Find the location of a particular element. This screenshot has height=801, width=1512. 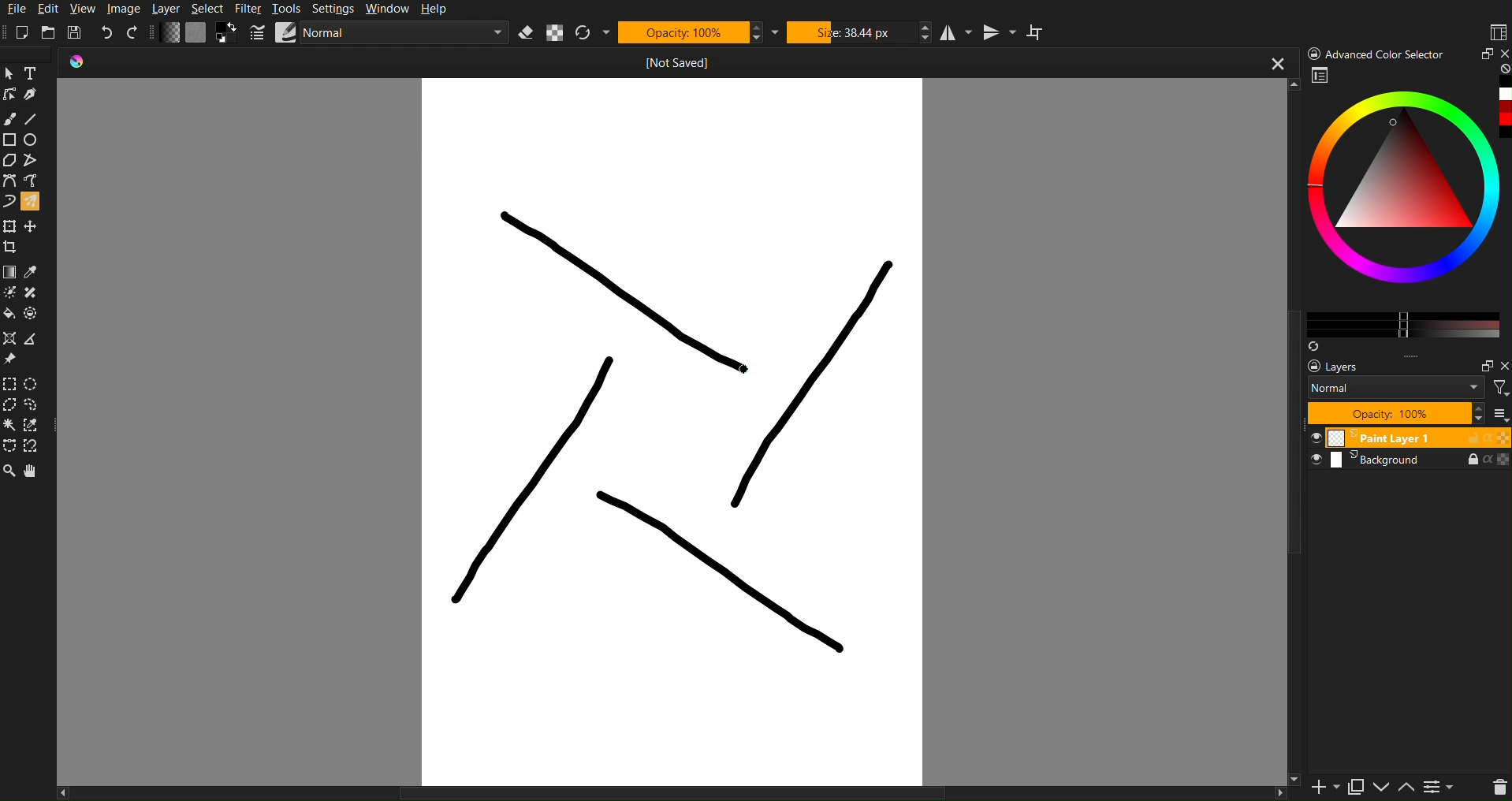

Similar color selection Tool is located at coordinates (38, 425).